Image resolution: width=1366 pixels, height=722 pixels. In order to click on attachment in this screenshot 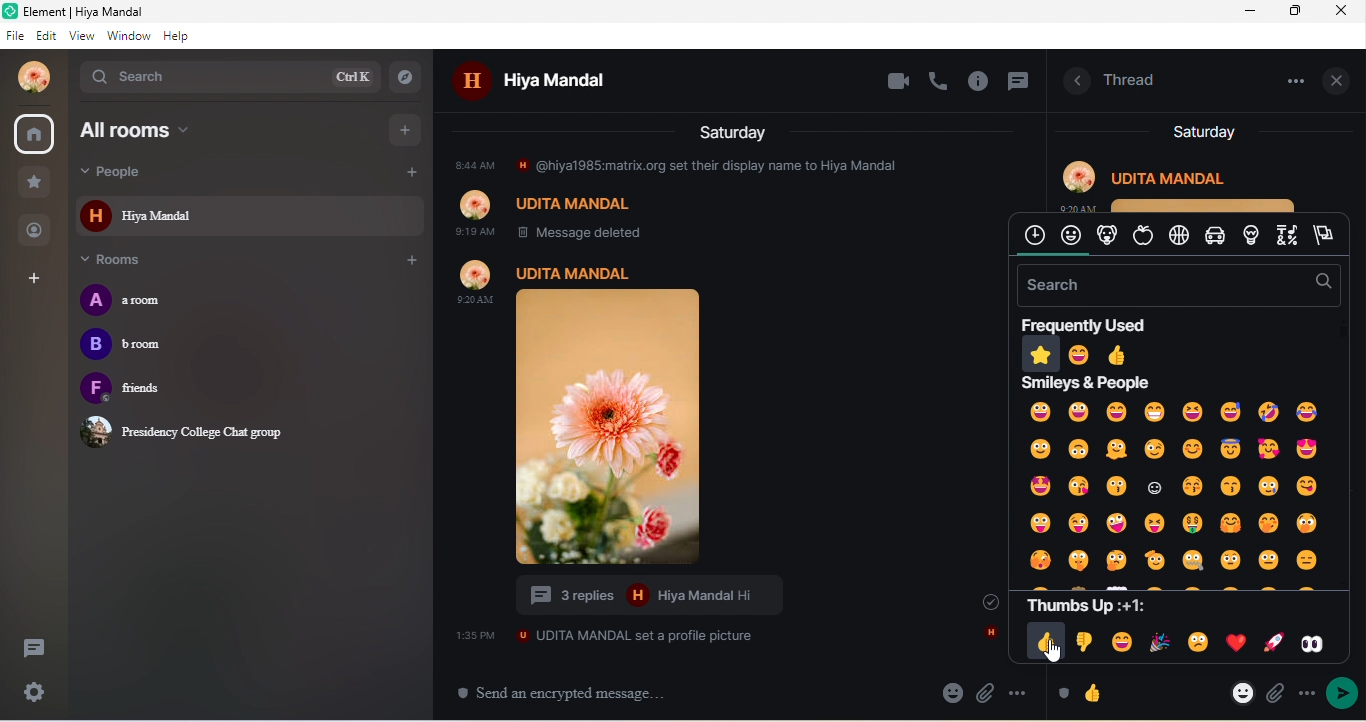, I will do `click(987, 693)`.